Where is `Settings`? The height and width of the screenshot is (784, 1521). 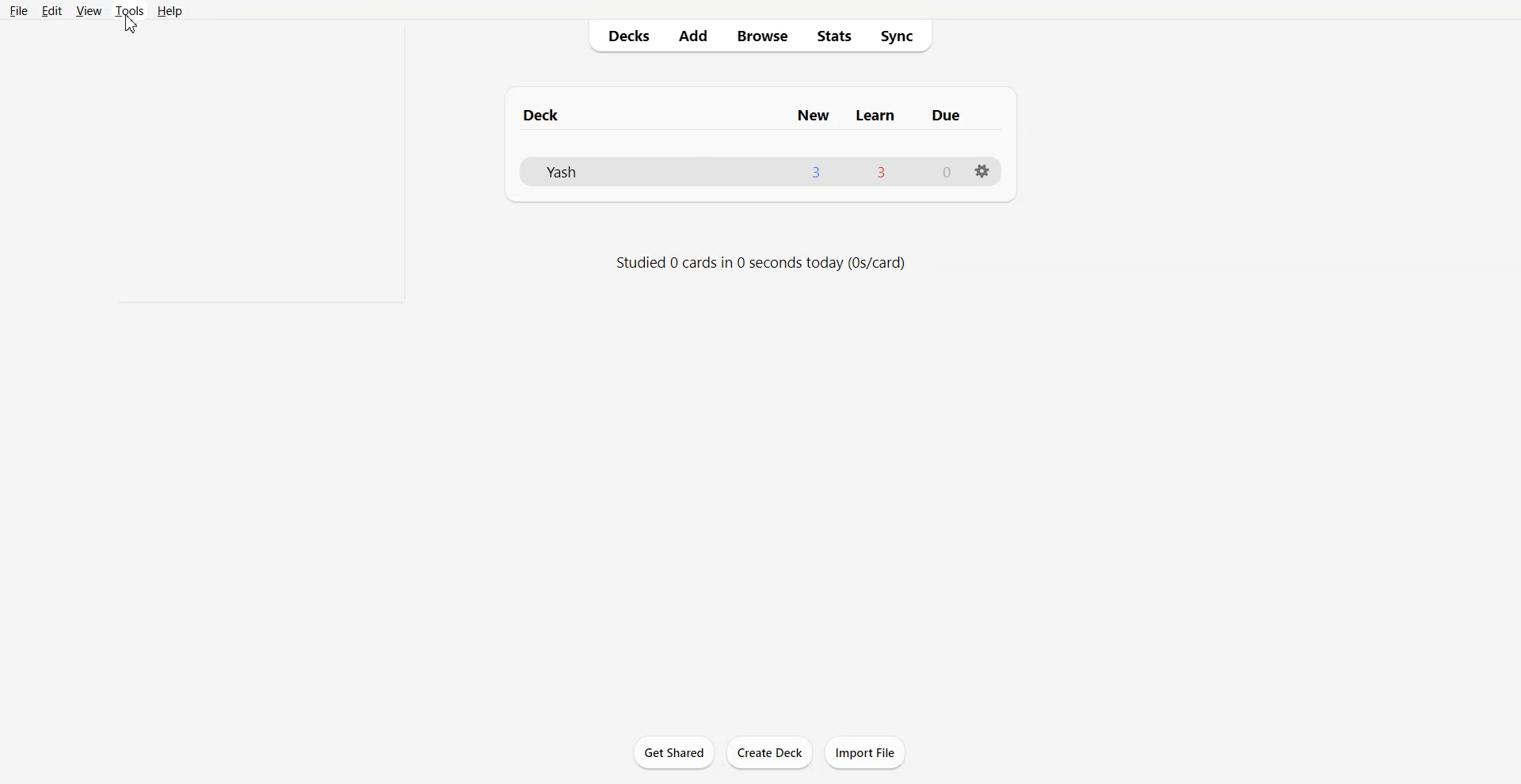
Settings is located at coordinates (982, 172).